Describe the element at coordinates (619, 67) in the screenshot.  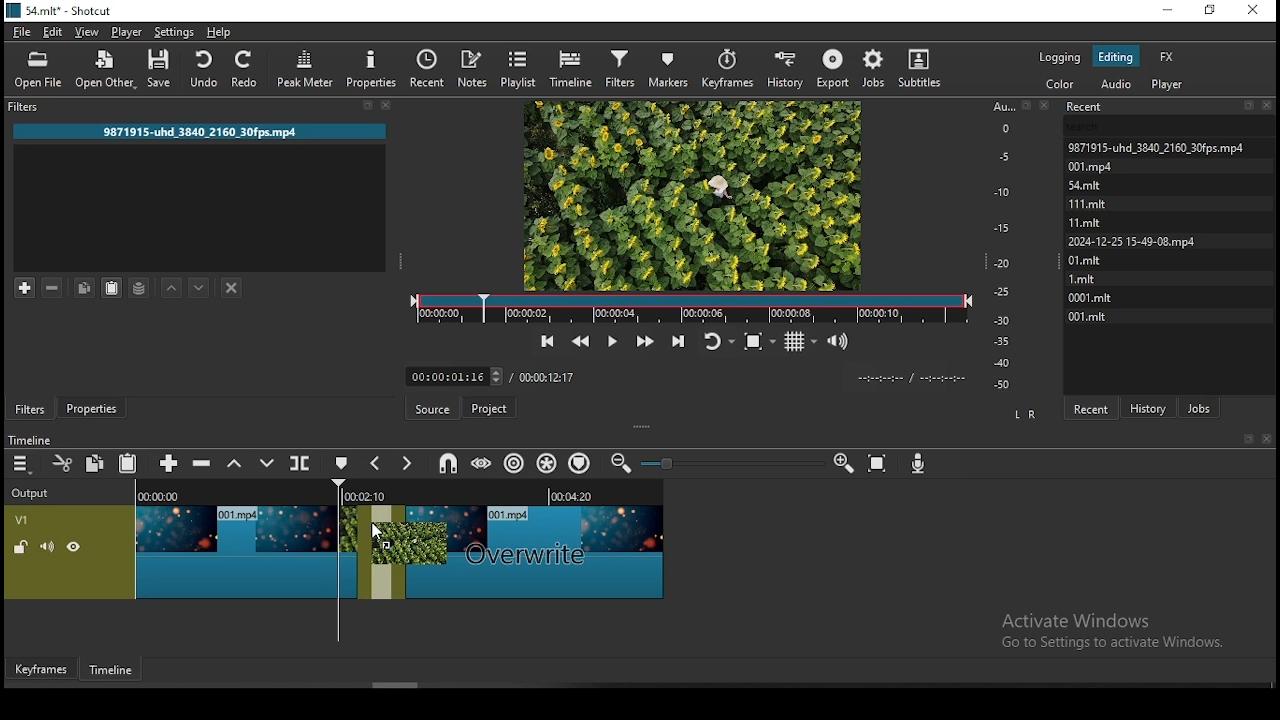
I see `filters` at that location.